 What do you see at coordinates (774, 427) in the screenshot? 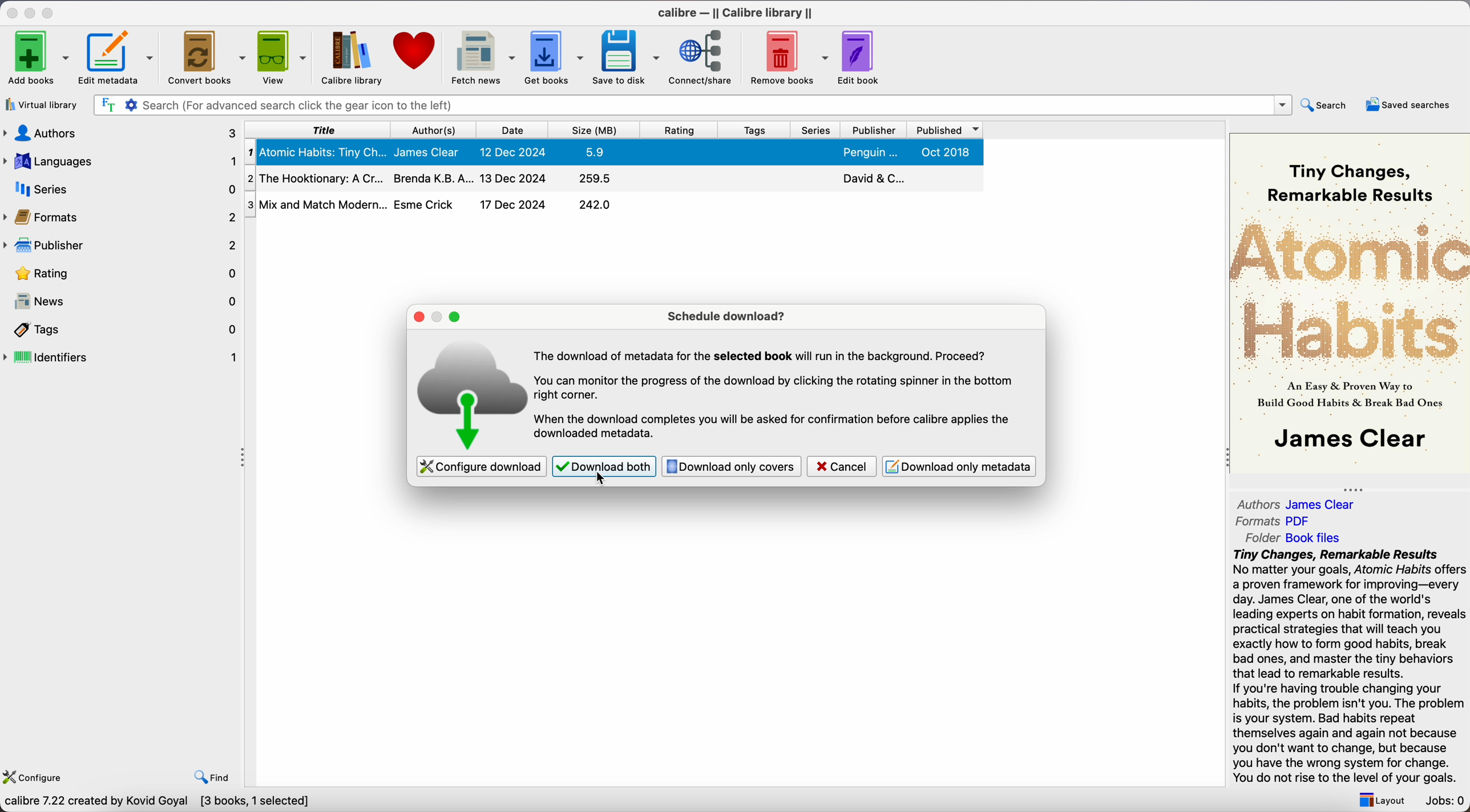
I see `When the download completes you will be asked for confirmation before calibre applies the download metadata.` at bounding box center [774, 427].